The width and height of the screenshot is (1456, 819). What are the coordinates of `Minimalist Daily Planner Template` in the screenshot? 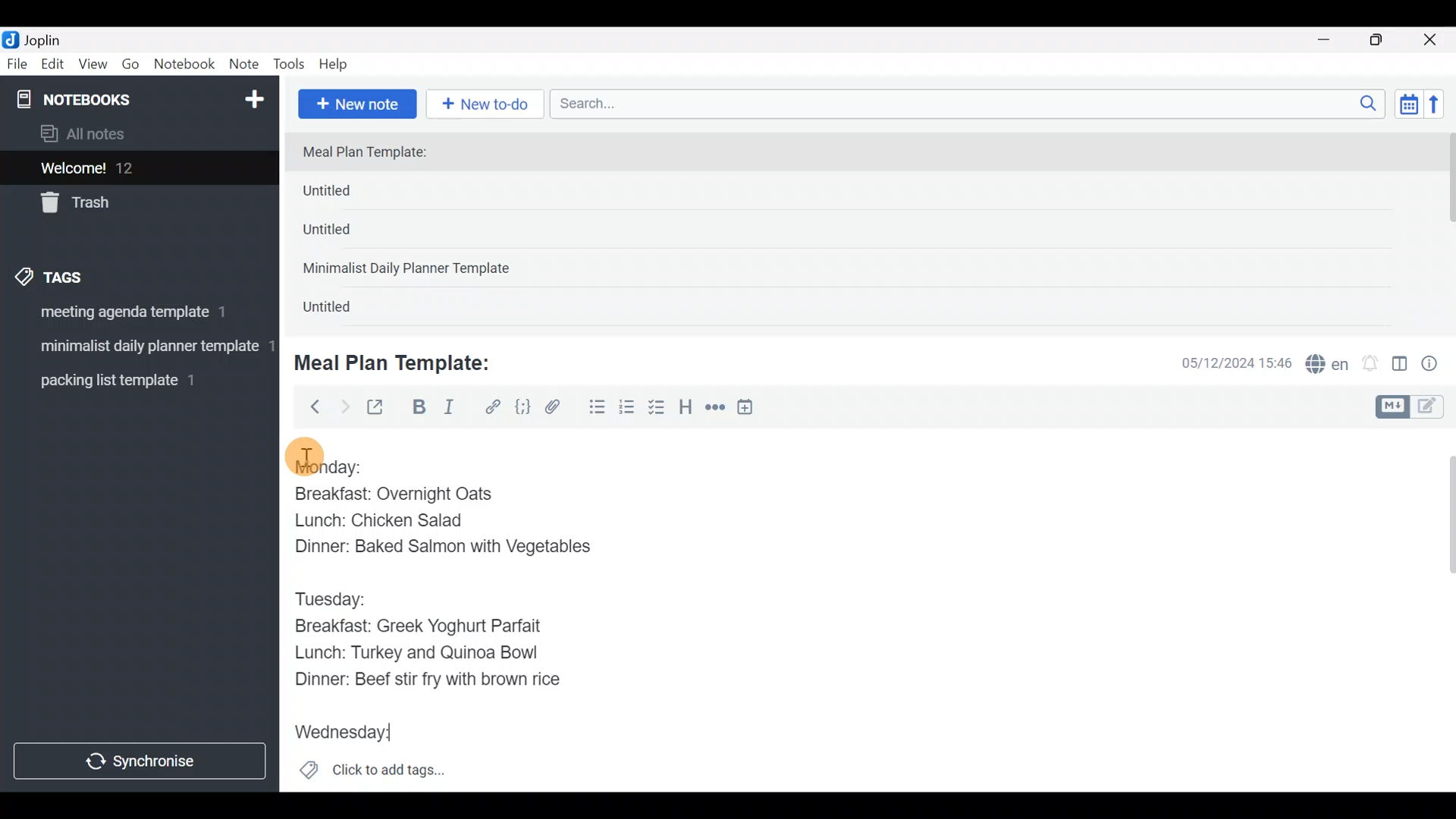 It's located at (411, 270).